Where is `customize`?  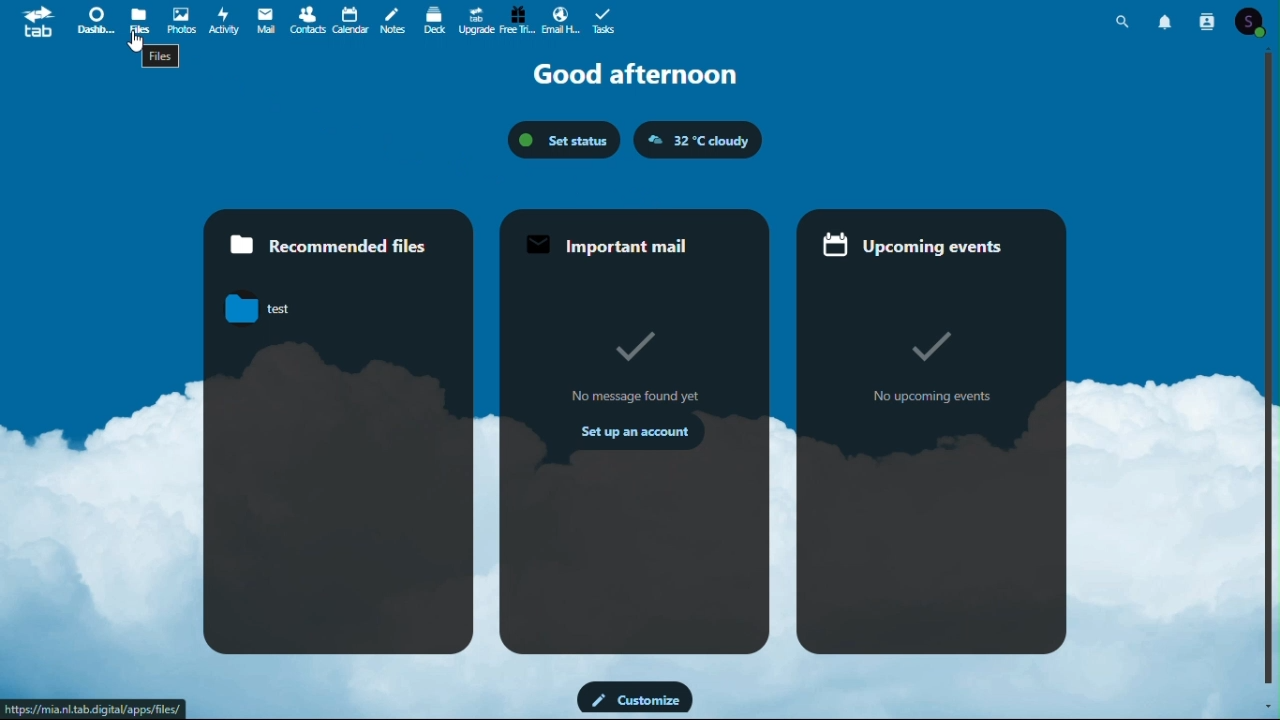 customize is located at coordinates (633, 698).